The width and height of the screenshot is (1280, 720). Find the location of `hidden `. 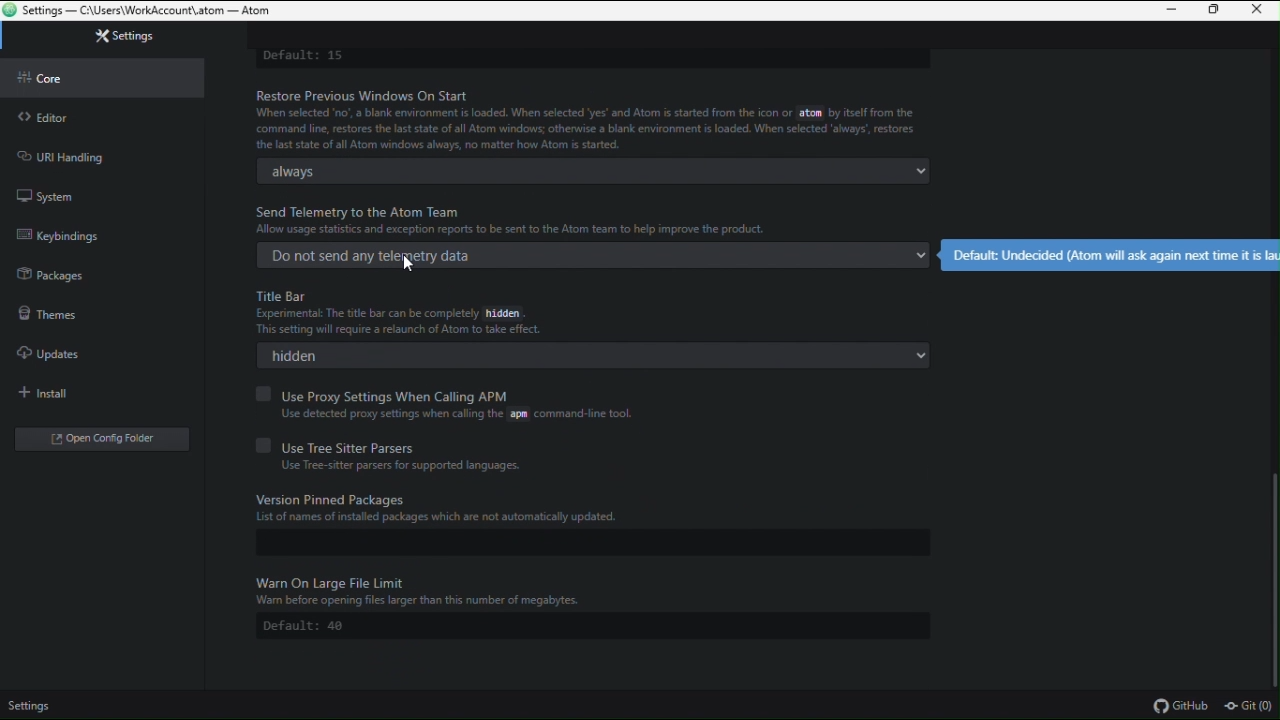

hidden  is located at coordinates (600, 359).